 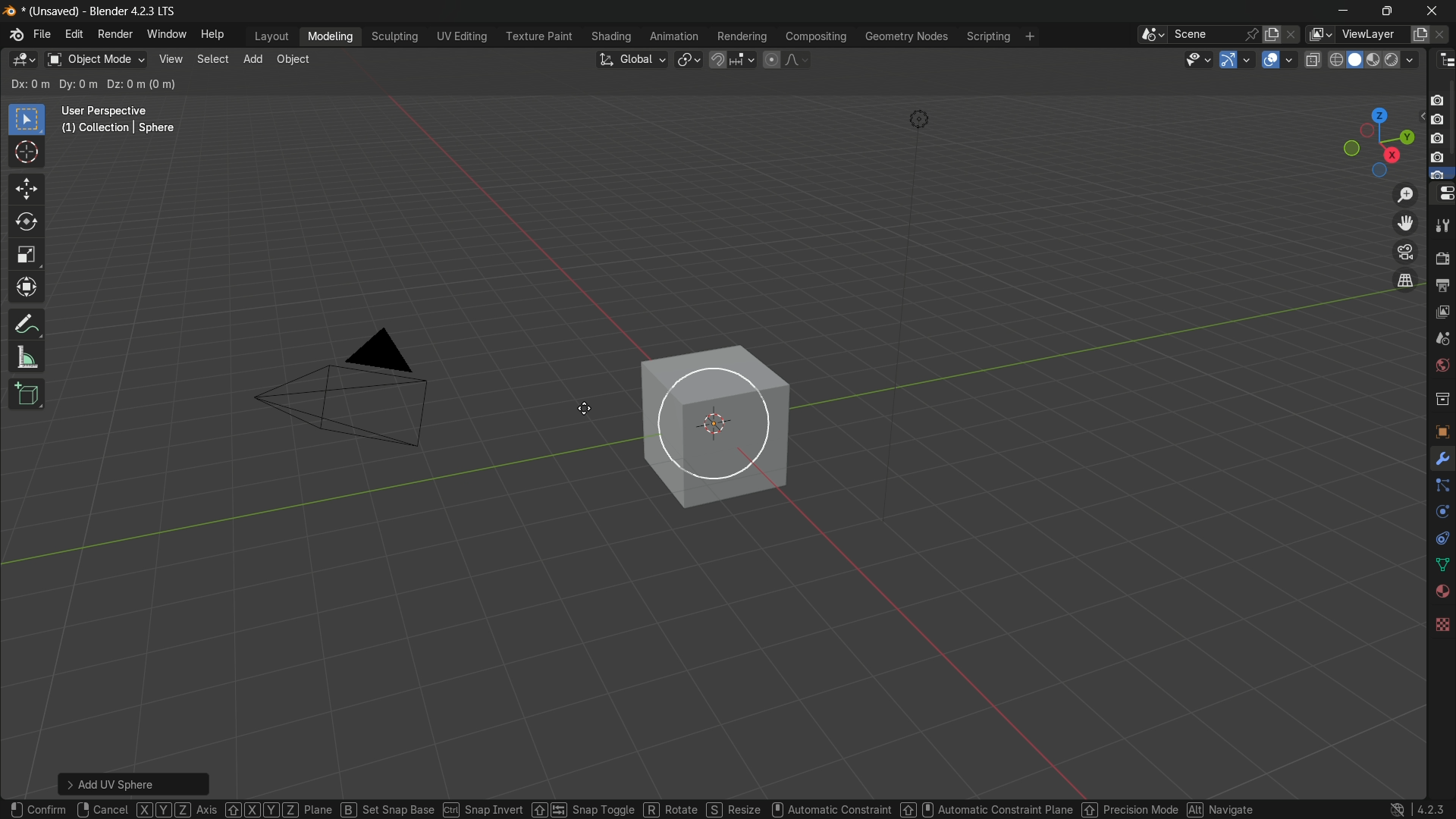 I want to click on proportional editing object, so click(x=771, y=59).